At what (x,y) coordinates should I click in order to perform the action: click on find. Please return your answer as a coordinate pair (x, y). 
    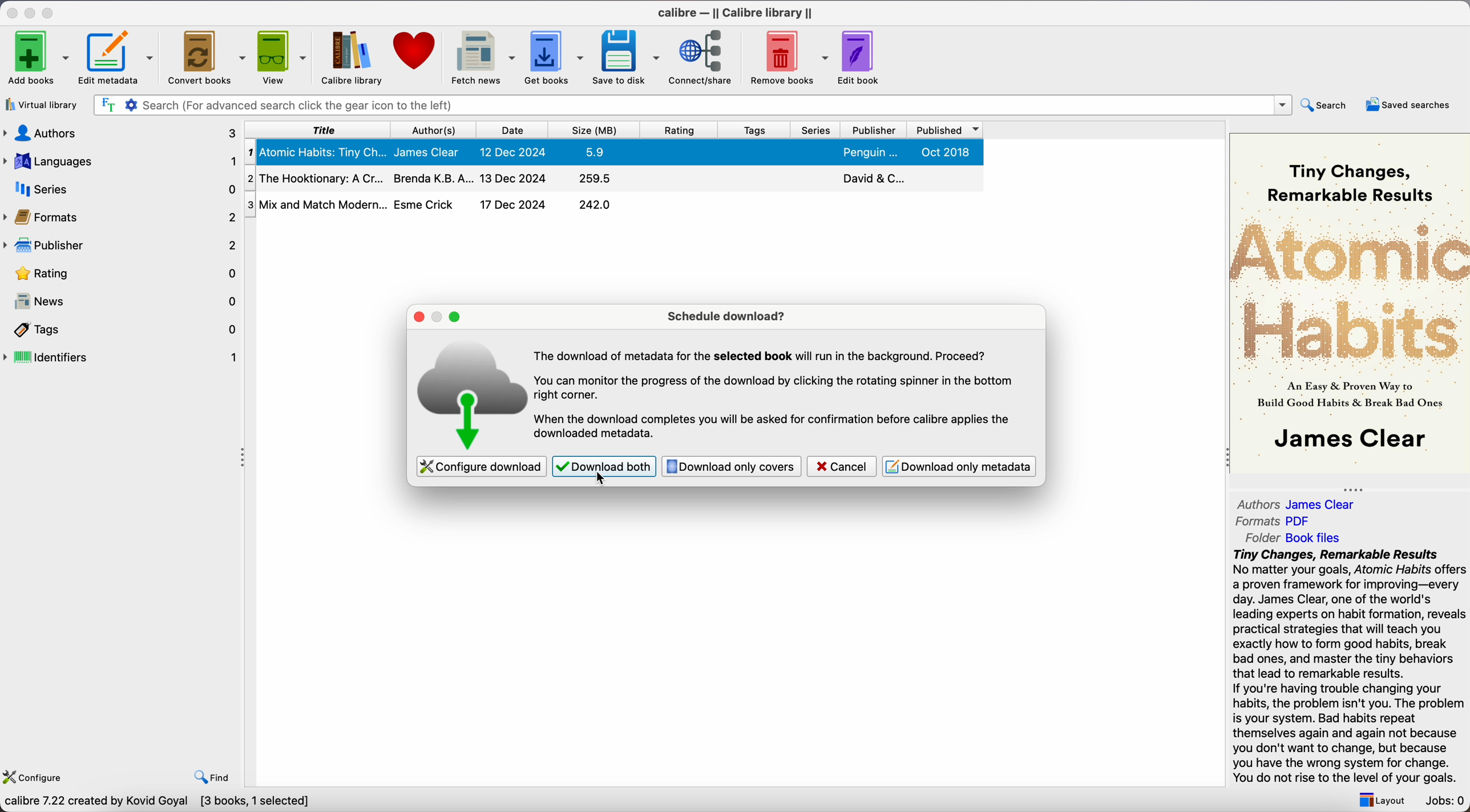
    Looking at the image, I should click on (213, 779).